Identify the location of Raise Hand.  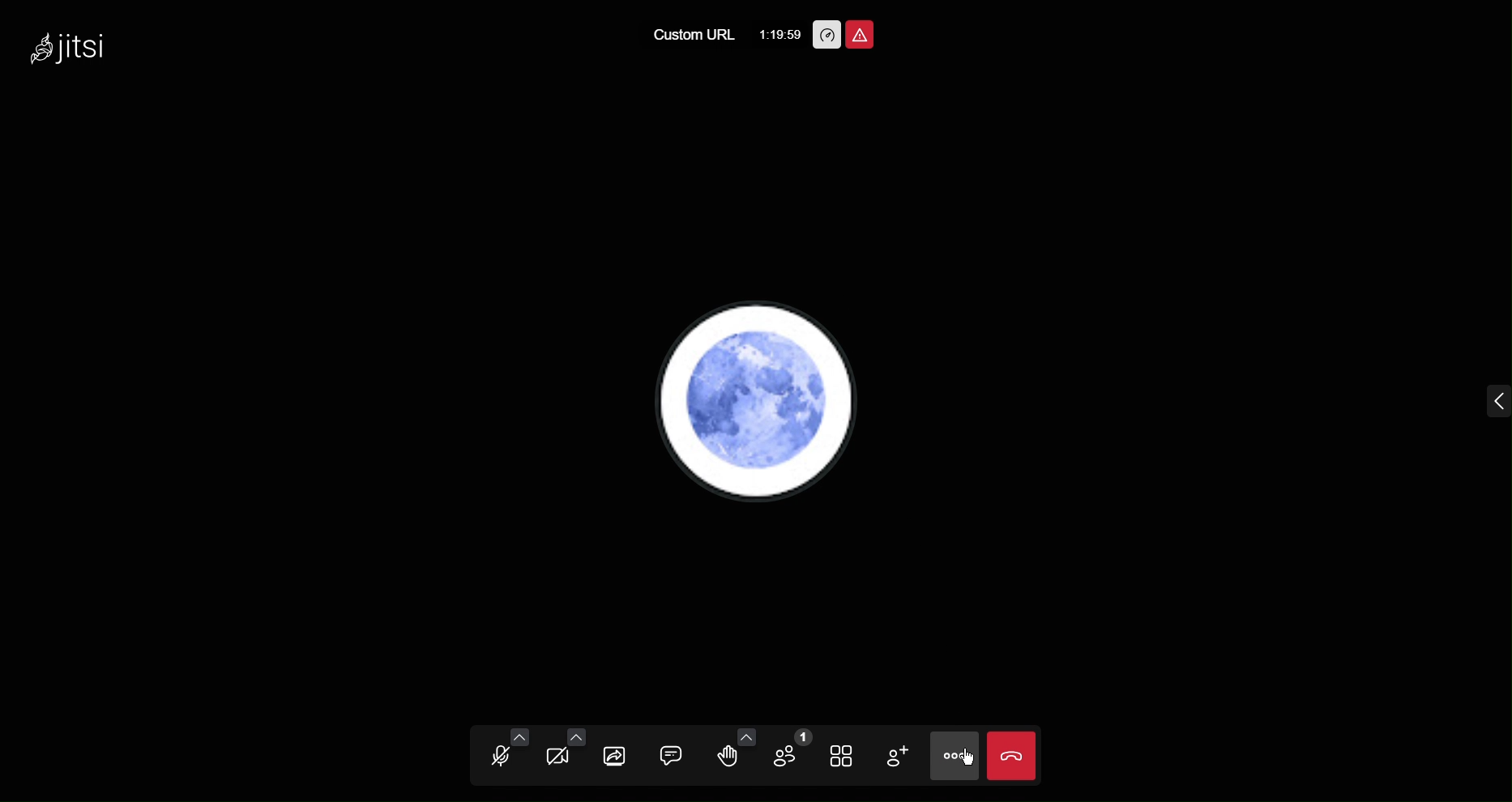
(734, 753).